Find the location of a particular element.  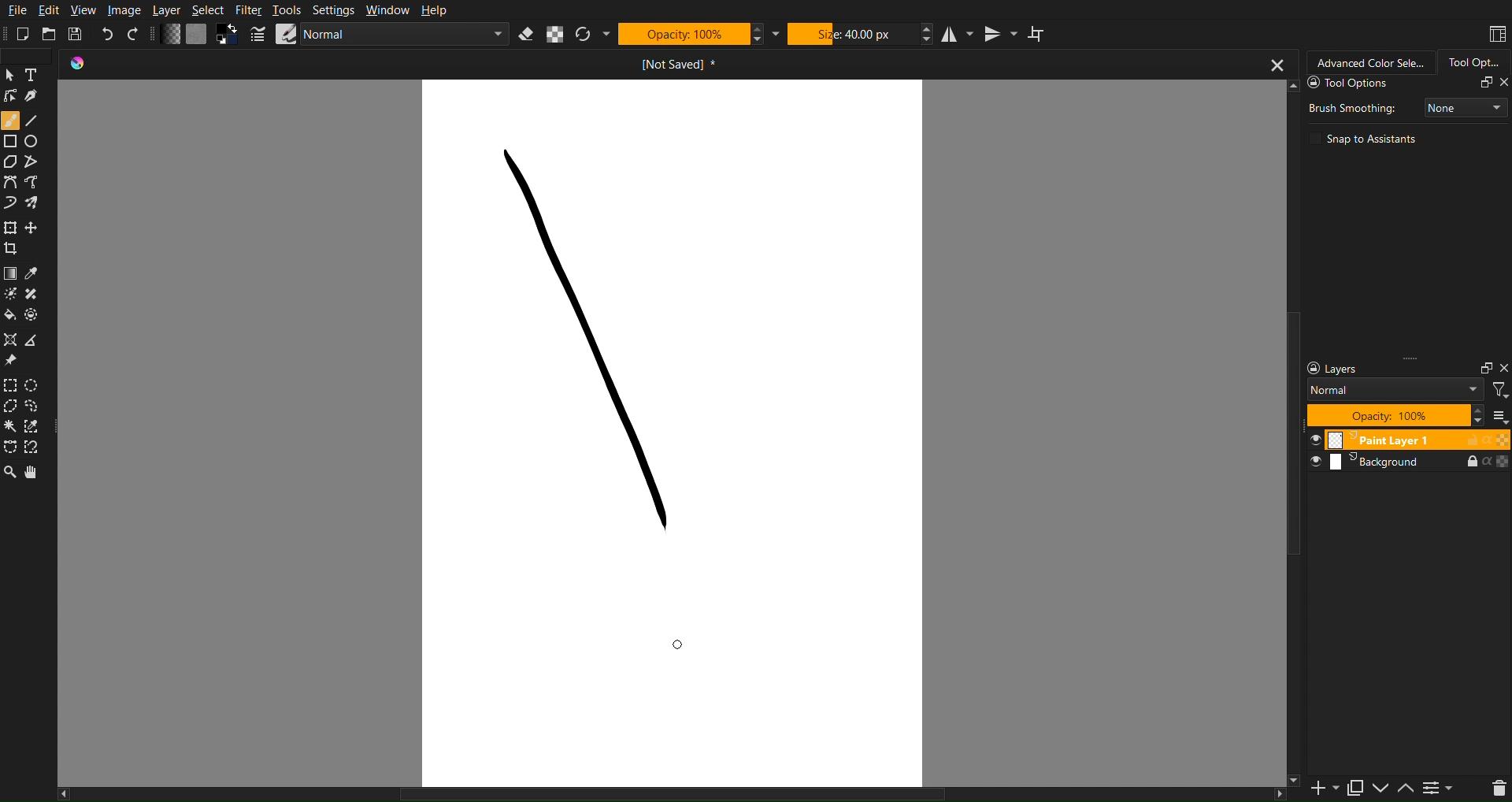

Layers is located at coordinates (1405, 463).